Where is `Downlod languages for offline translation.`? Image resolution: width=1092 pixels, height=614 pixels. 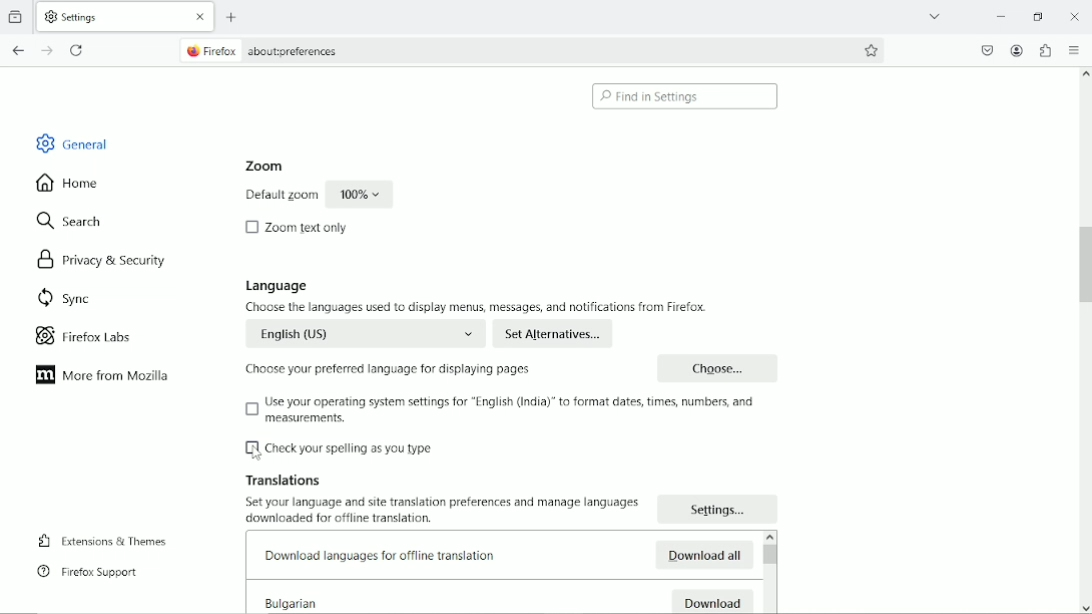
Downlod languages for offline translation. is located at coordinates (378, 558).